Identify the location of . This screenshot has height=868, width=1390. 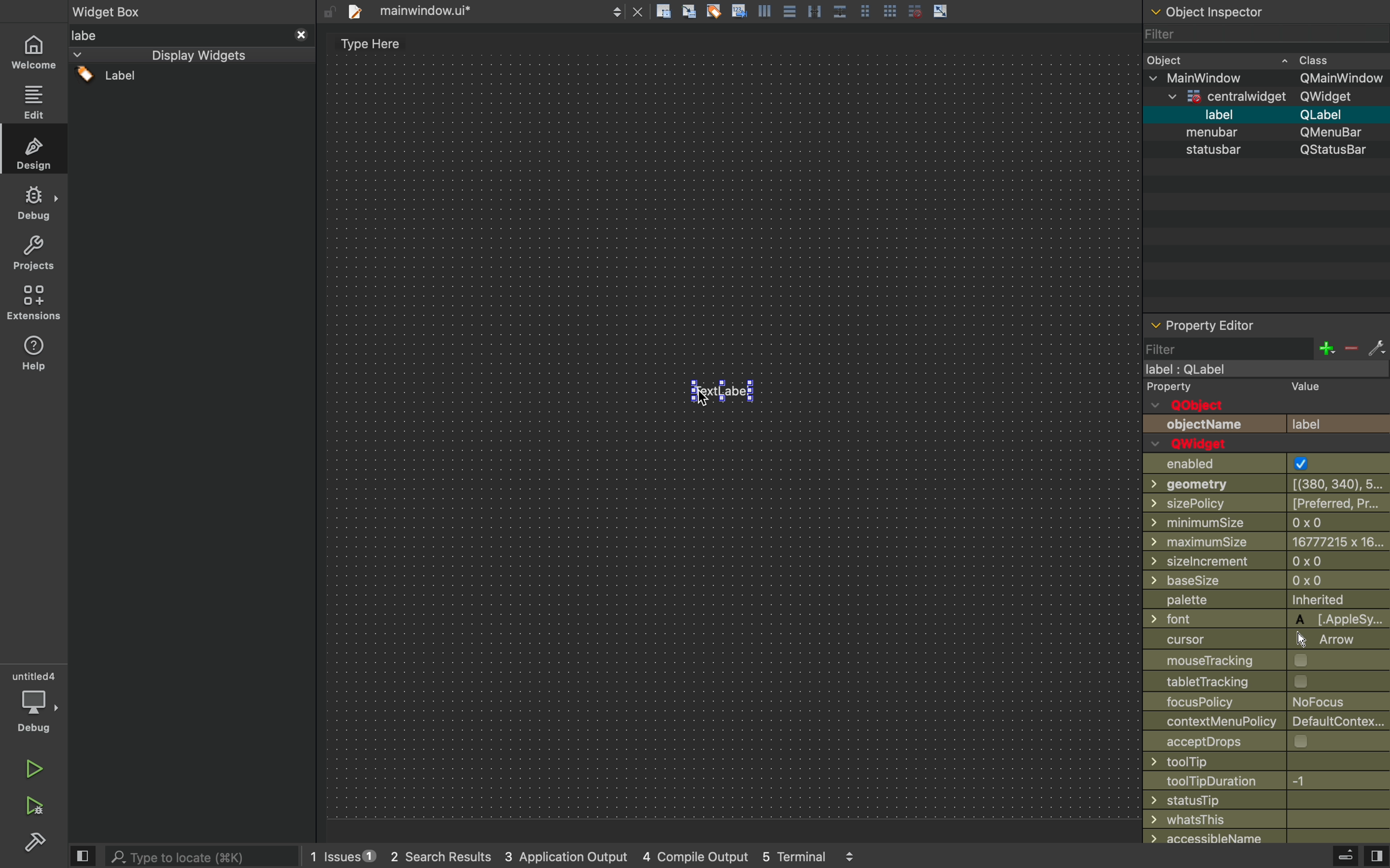
(1269, 152).